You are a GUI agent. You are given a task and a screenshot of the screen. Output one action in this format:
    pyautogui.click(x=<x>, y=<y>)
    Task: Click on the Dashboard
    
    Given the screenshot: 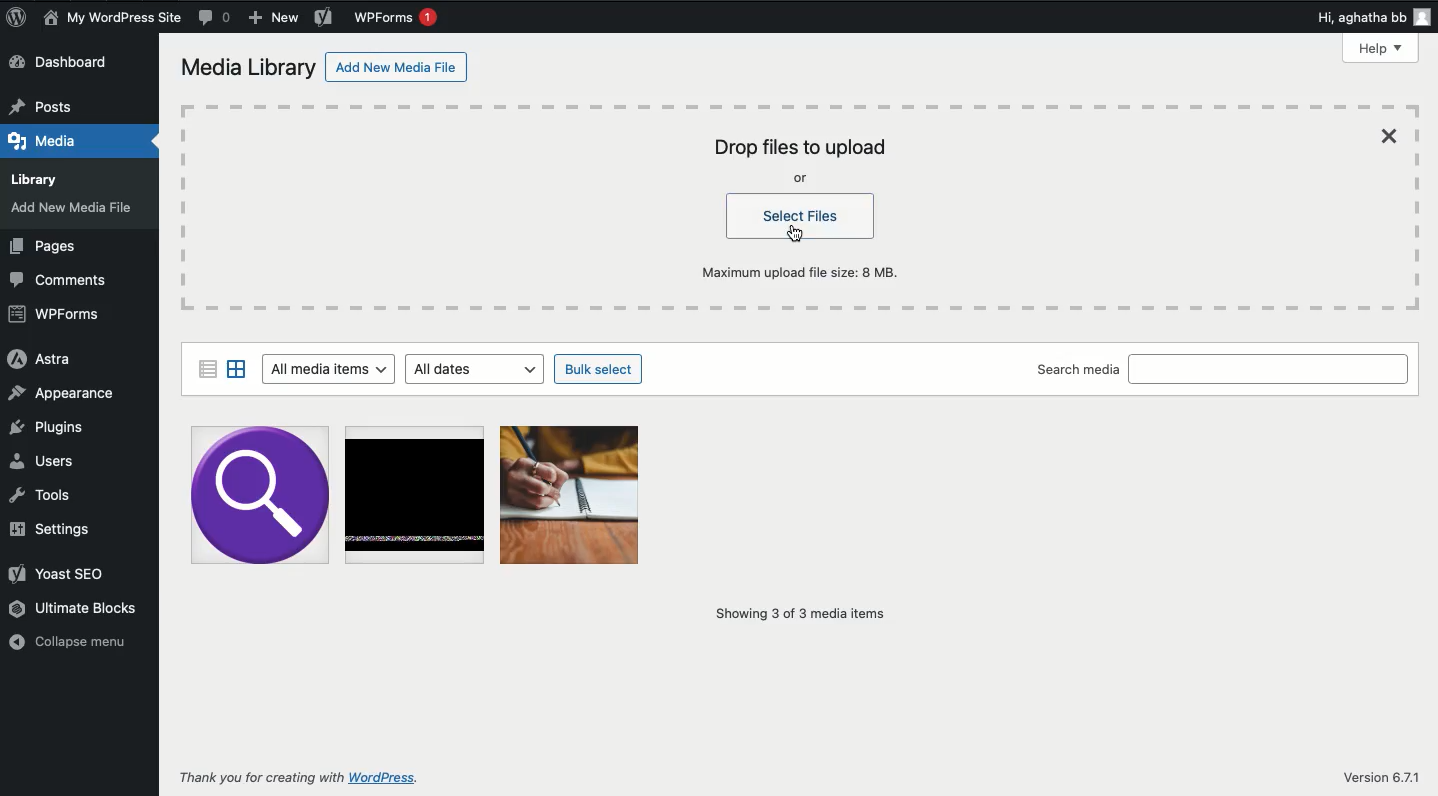 What is the action you would take?
    pyautogui.click(x=75, y=62)
    